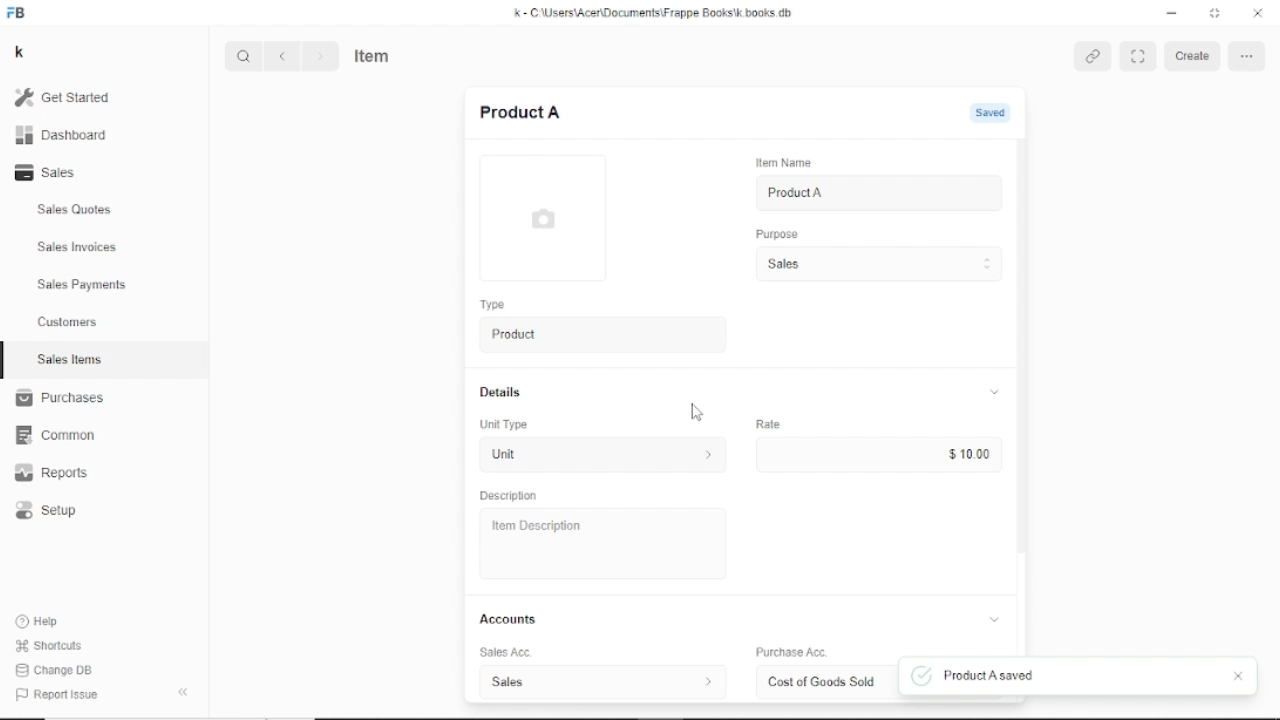 The image size is (1280, 720). I want to click on Purchase Acc., so click(790, 653).